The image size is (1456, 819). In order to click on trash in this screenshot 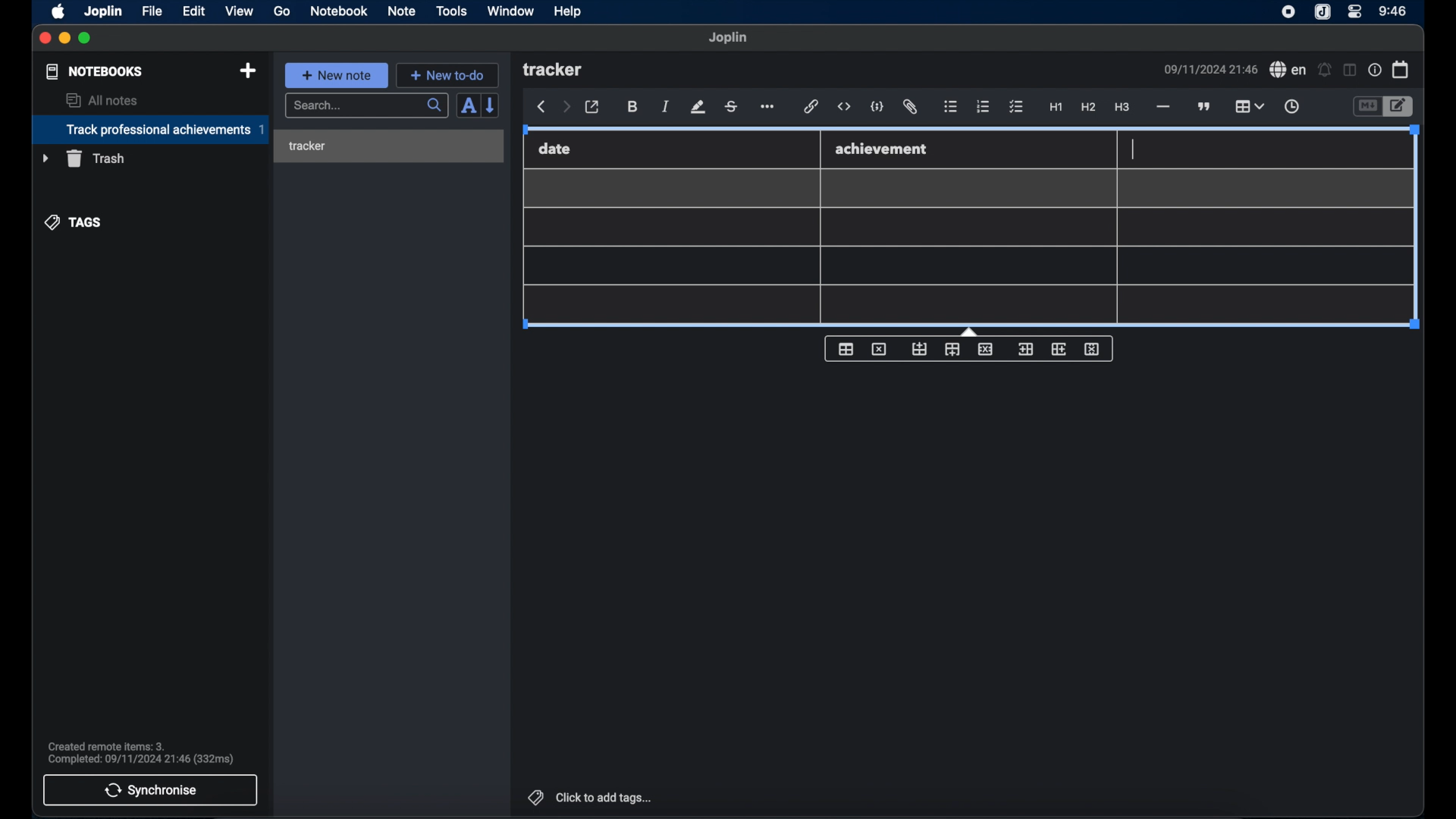, I will do `click(83, 158)`.